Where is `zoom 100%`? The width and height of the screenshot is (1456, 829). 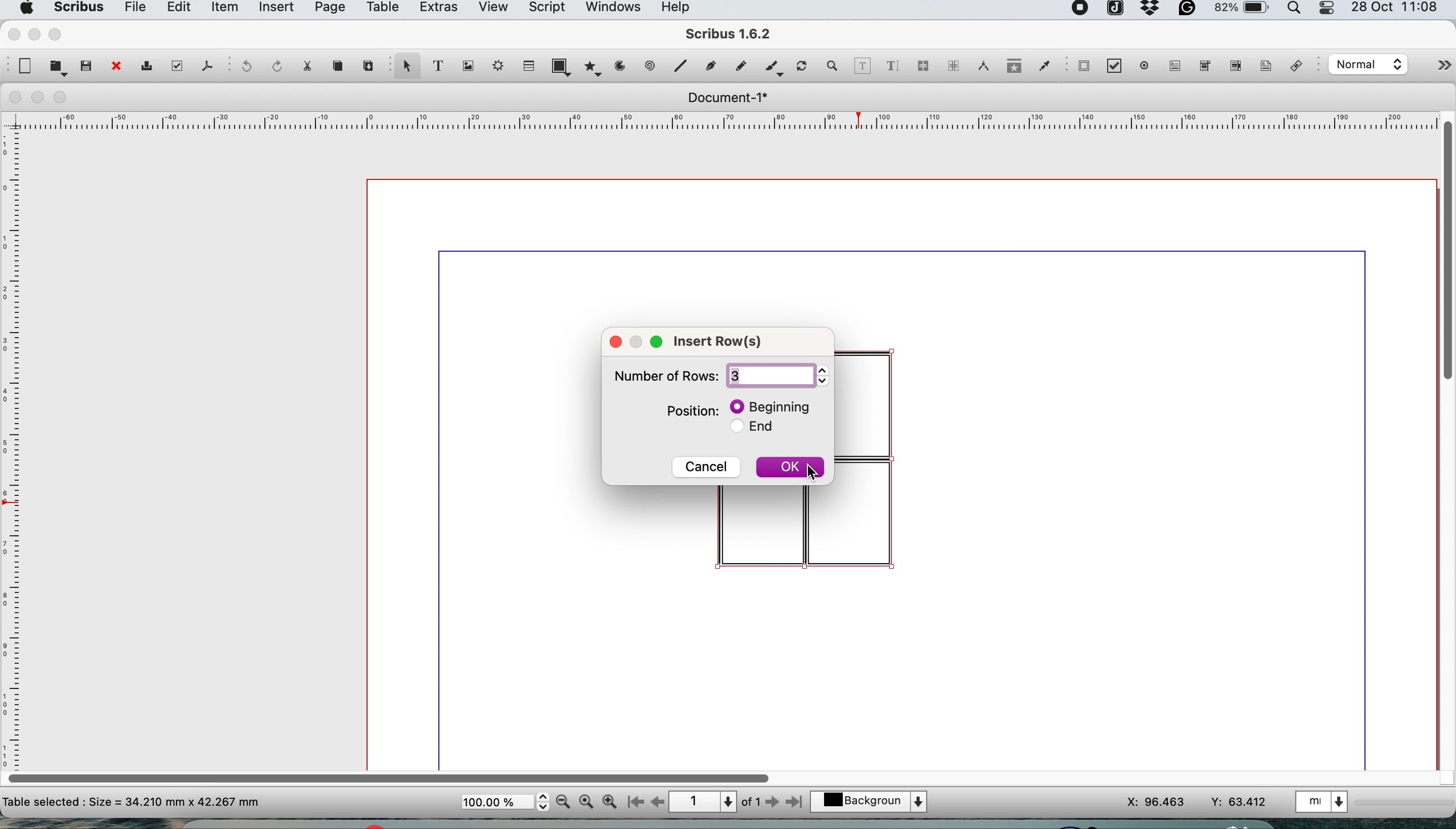 zoom 100% is located at coordinates (588, 801).